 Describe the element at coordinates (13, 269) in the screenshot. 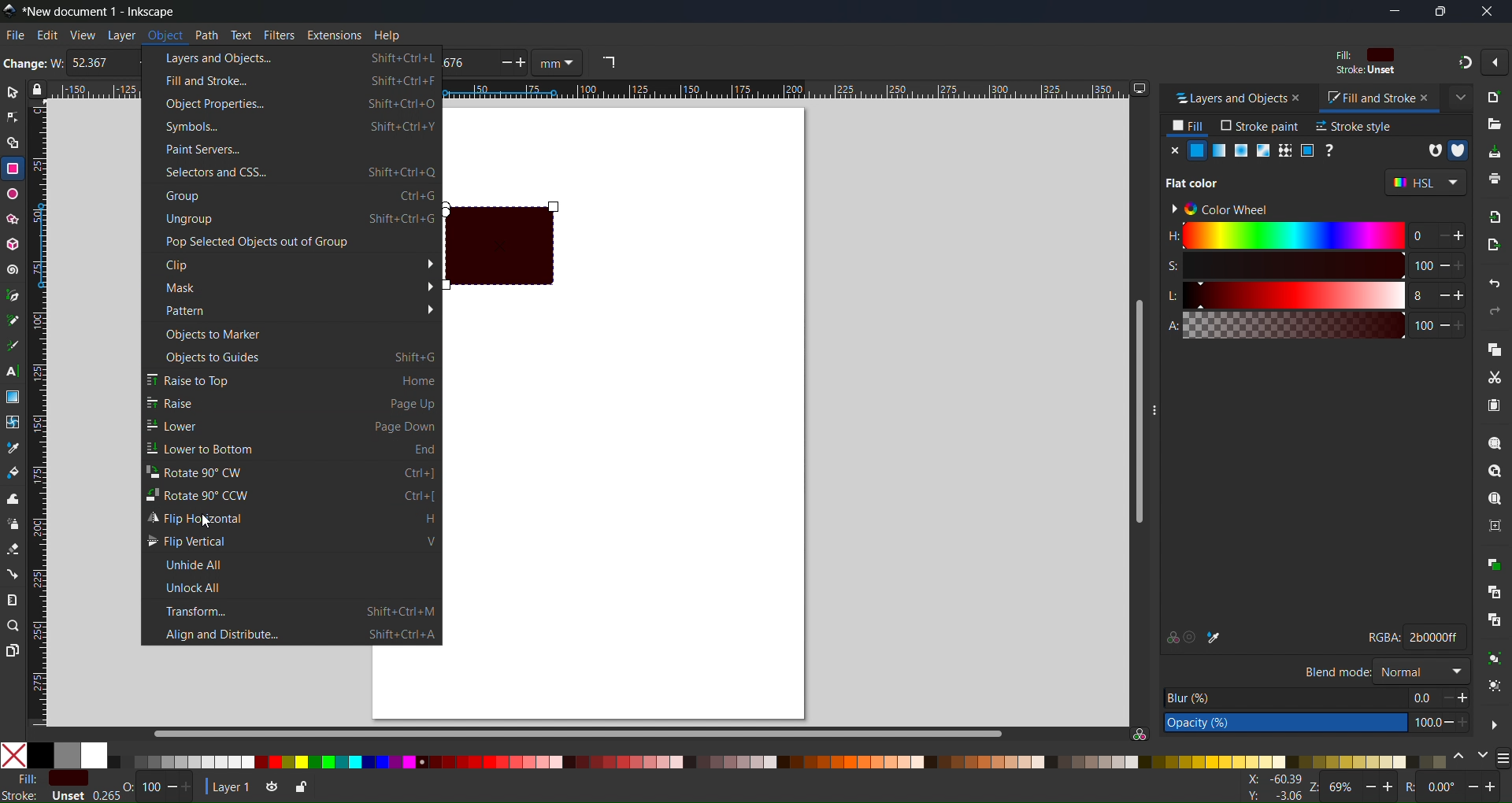

I see `Spiral Tool` at that location.